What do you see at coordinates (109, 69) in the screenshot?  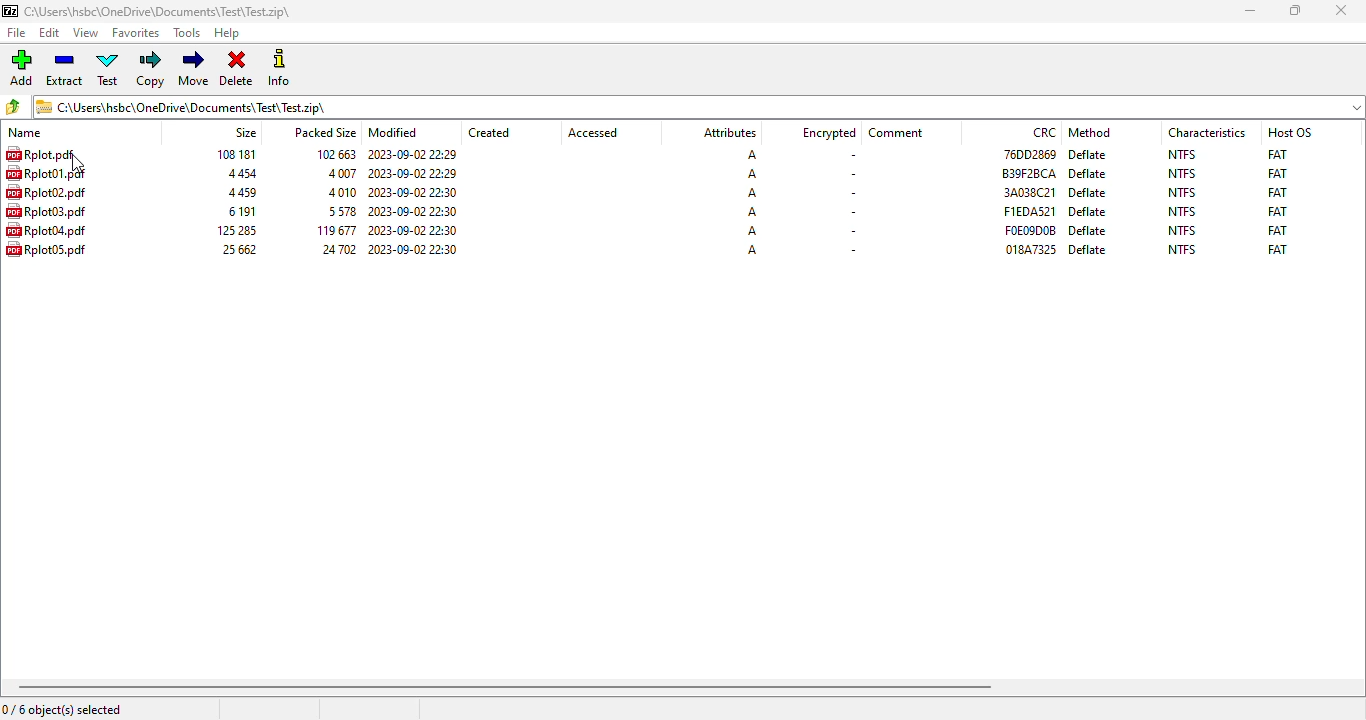 I see `test` at bounding box center [109, 69].